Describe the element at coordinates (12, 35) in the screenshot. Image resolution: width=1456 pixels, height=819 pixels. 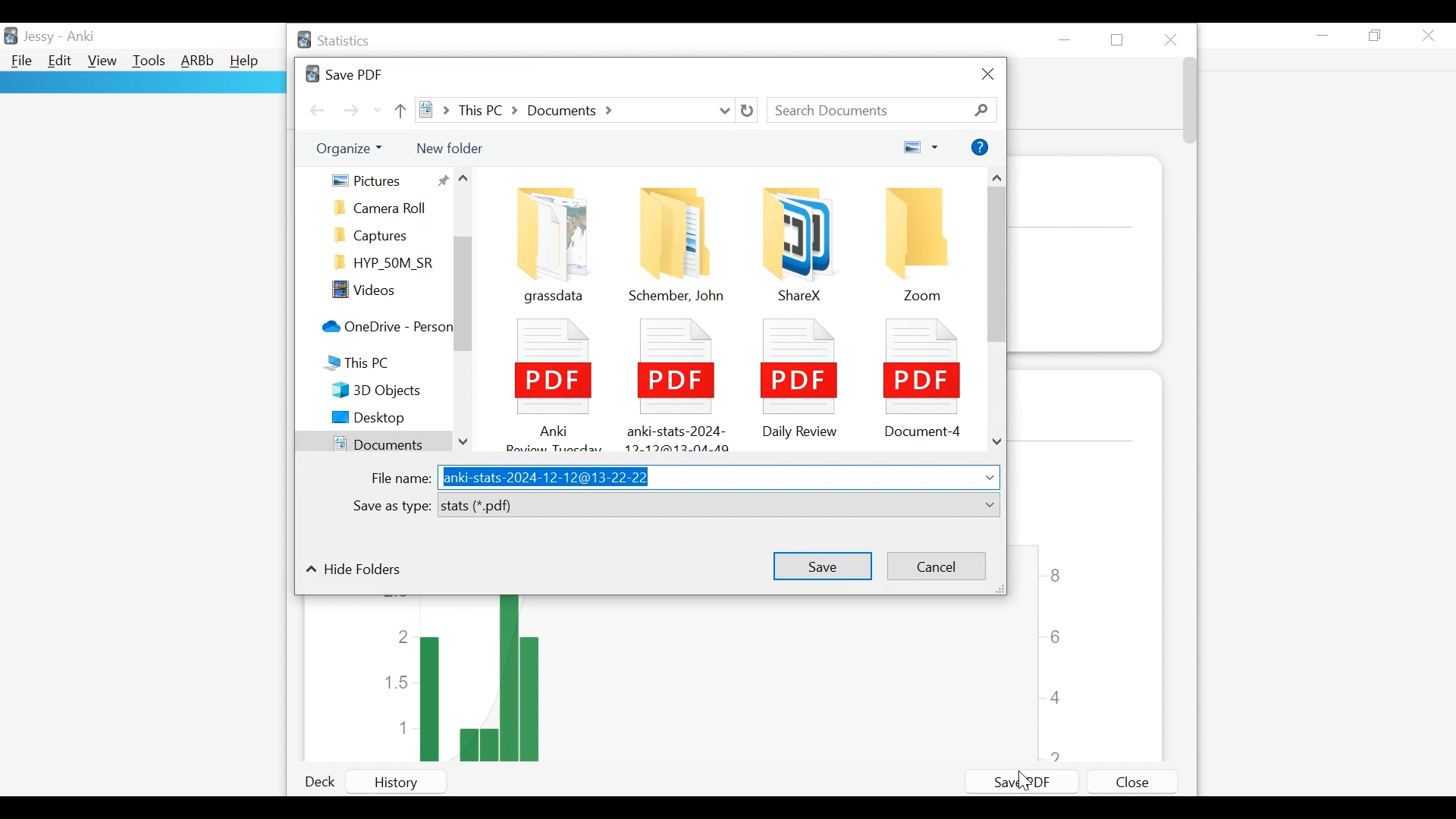
I see `Anki Desktop Icon` at that location.